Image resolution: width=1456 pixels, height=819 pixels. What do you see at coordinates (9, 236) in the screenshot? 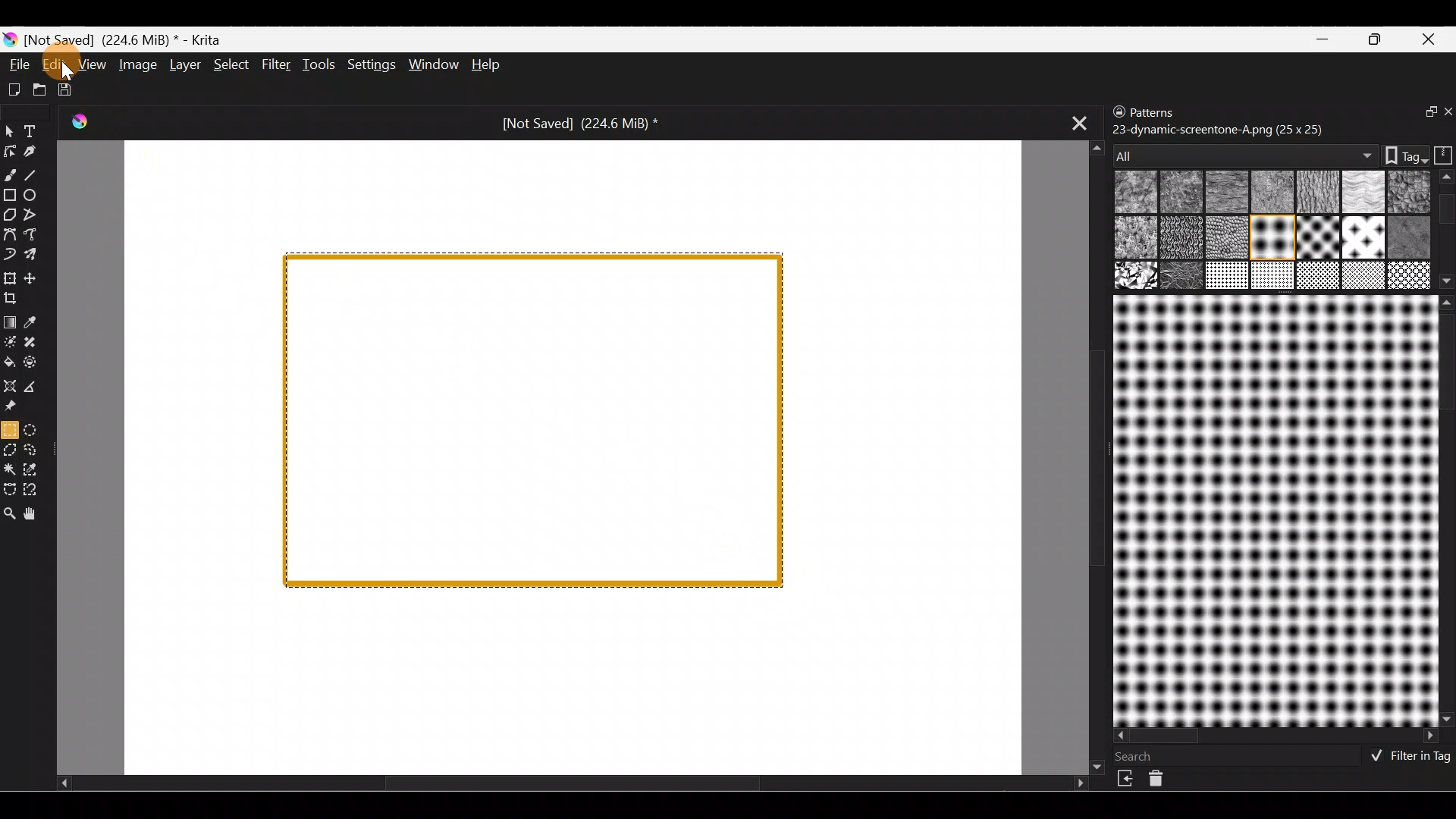
I see `Bezier curve tool` at bounding box center [9, 236].